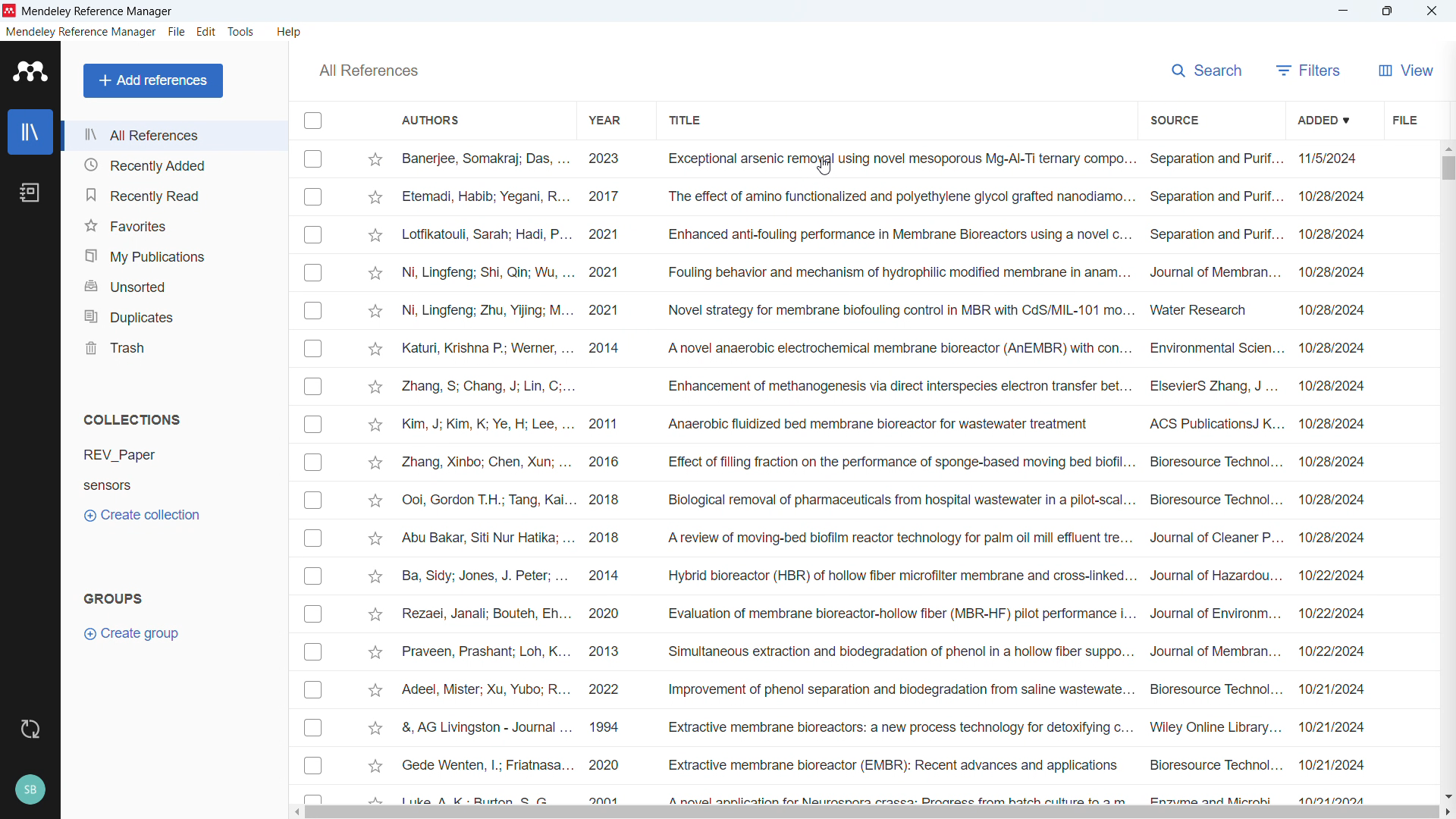  I want to click on click to starmark individual entries, so click(378, 350).